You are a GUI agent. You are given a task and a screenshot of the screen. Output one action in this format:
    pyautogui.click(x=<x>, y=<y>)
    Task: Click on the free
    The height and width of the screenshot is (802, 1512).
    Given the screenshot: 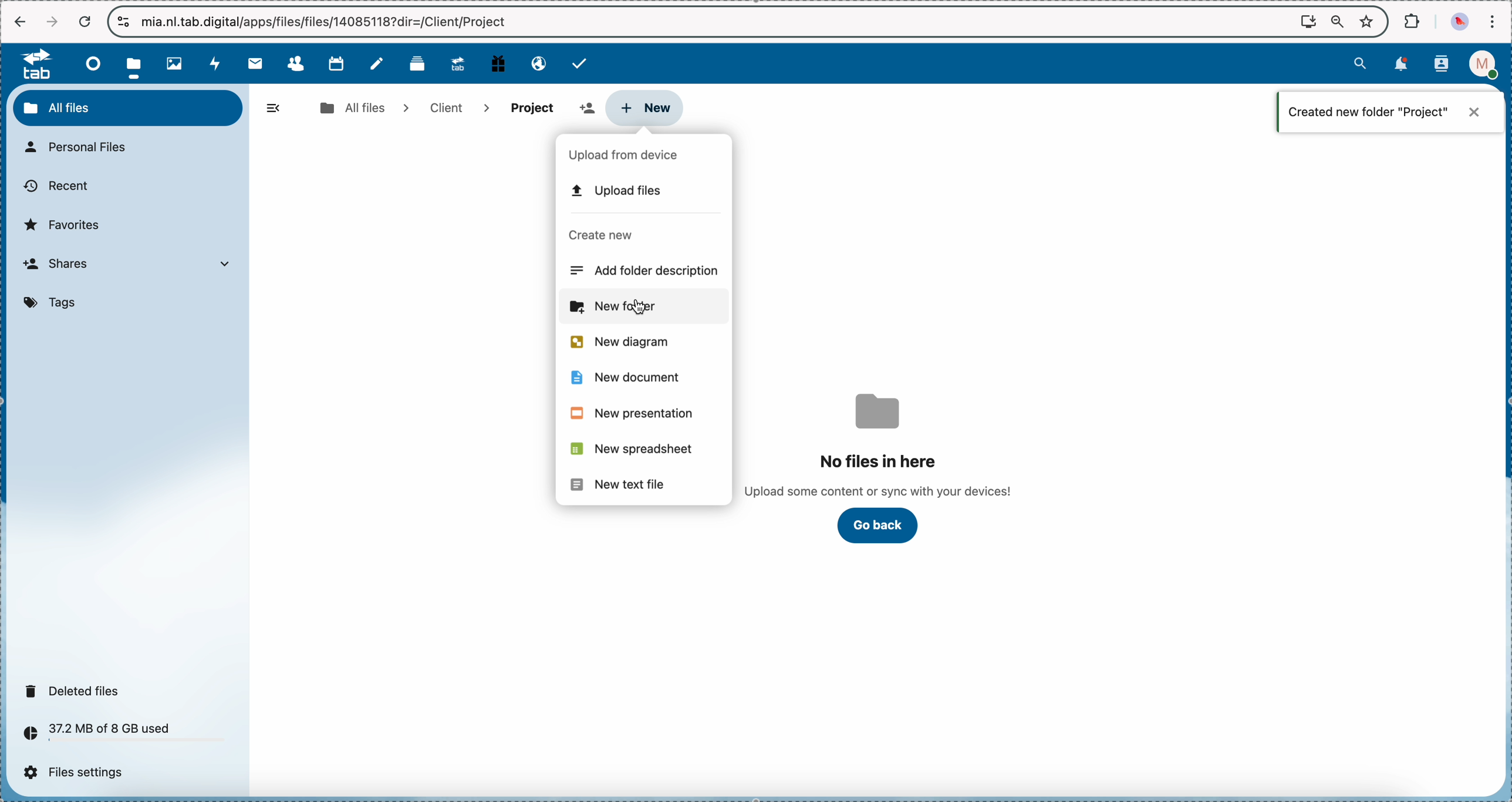 What is the action you would take?
    pyautogui.click(x=498, y=62)
    